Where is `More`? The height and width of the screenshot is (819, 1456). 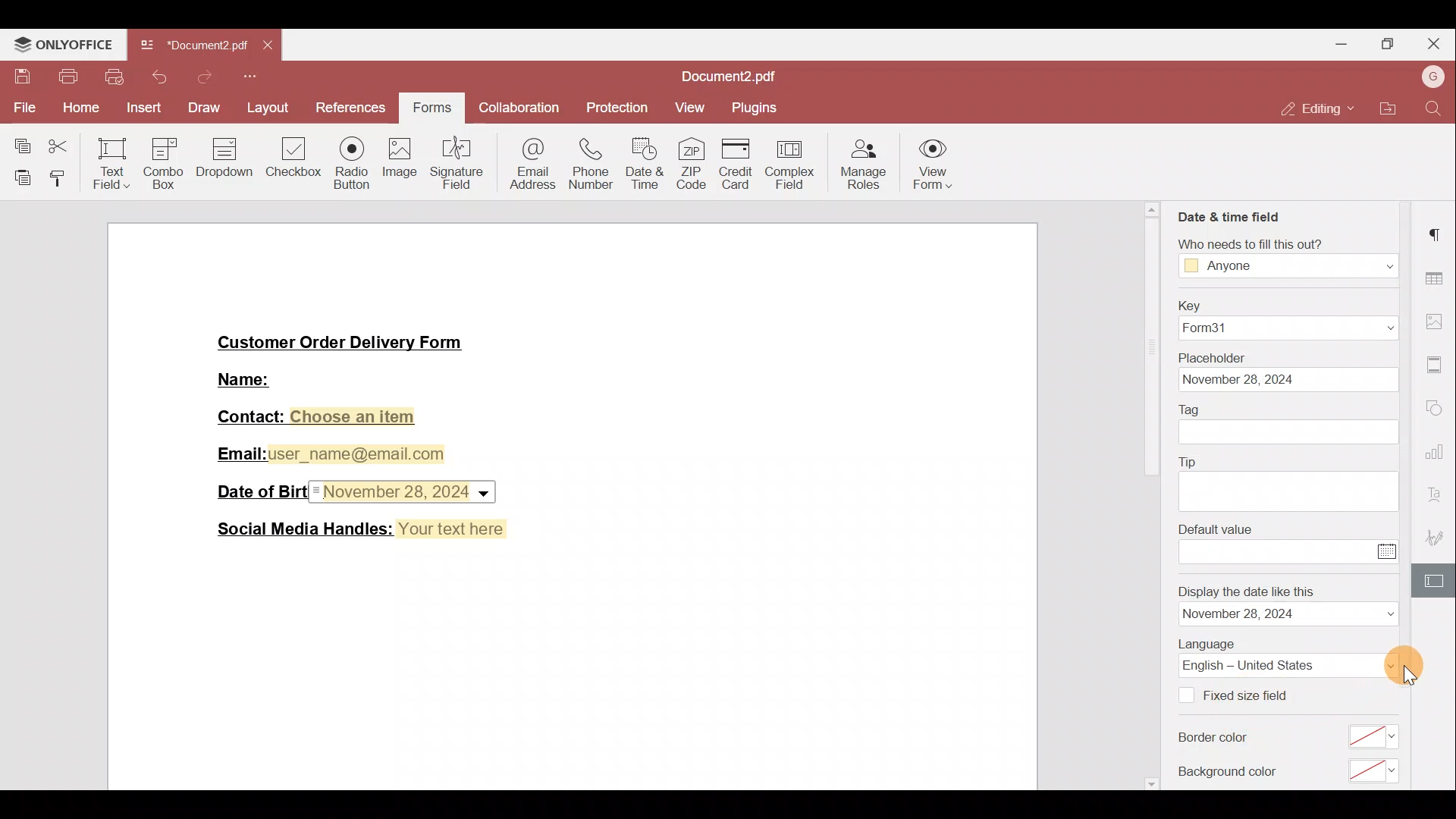 More is located at coordinates (253, 78).